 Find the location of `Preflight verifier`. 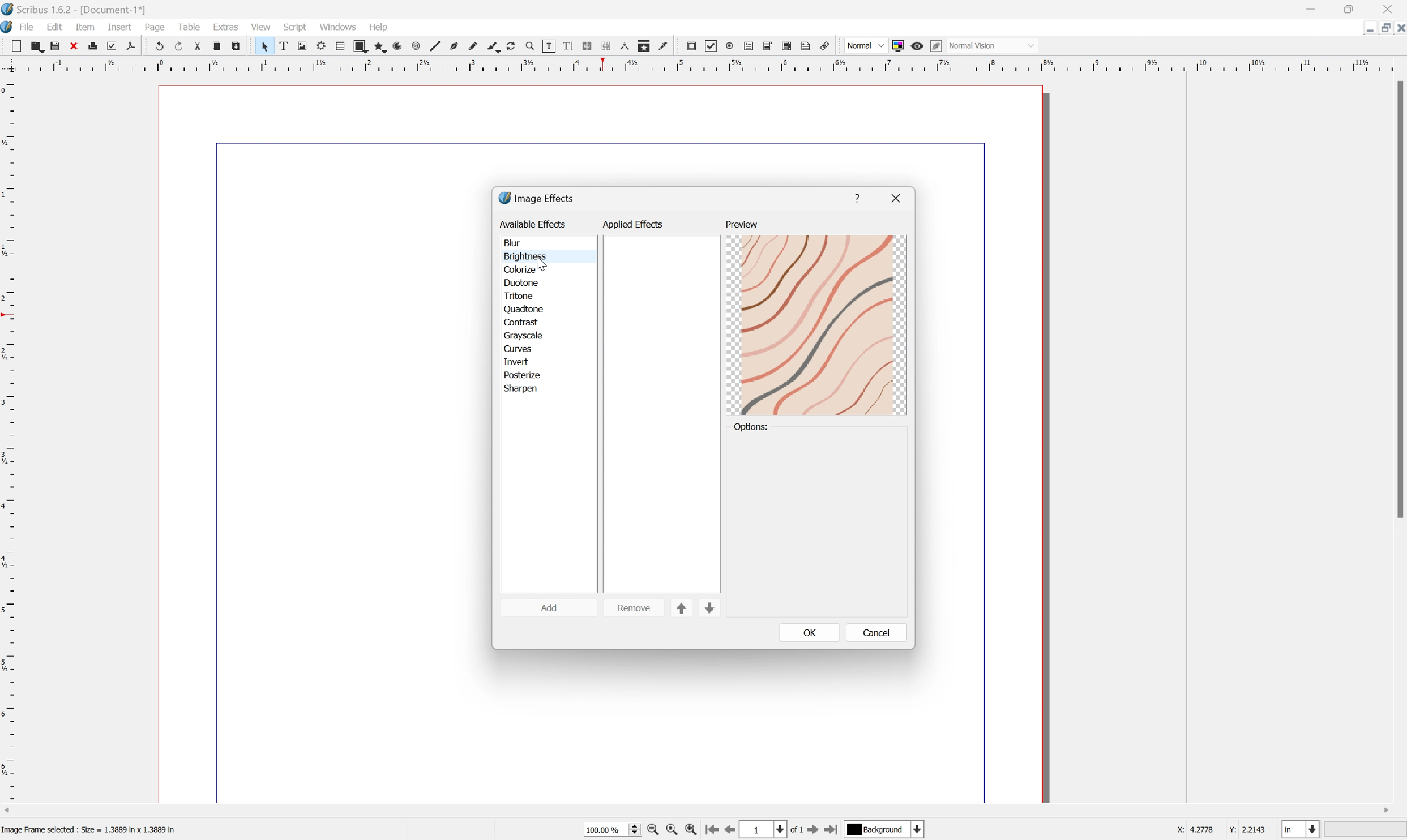

Preflight verifier is located at coordinates (113, 45).